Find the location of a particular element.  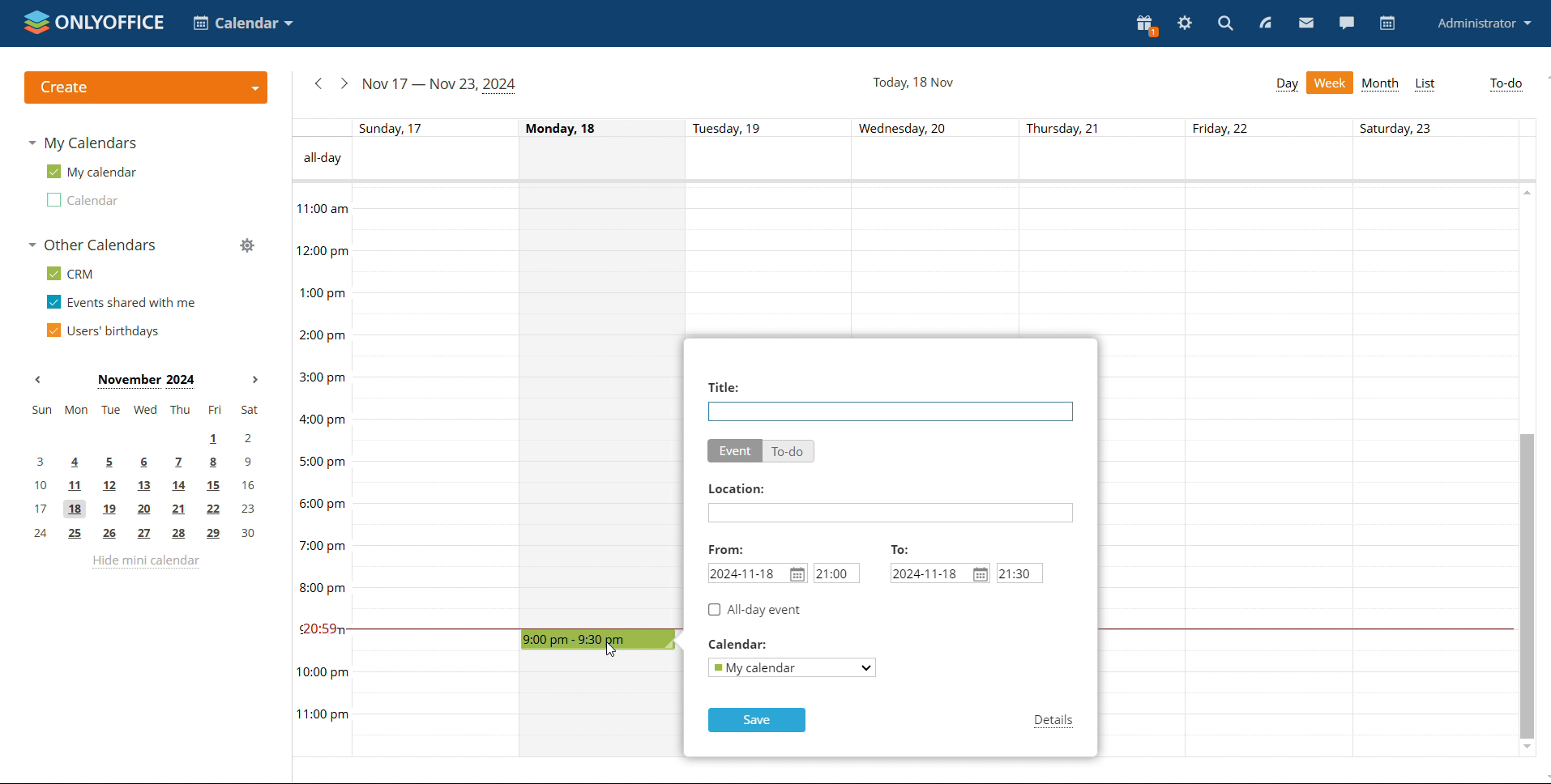

mini calendar is located at coordinates (145, 472).